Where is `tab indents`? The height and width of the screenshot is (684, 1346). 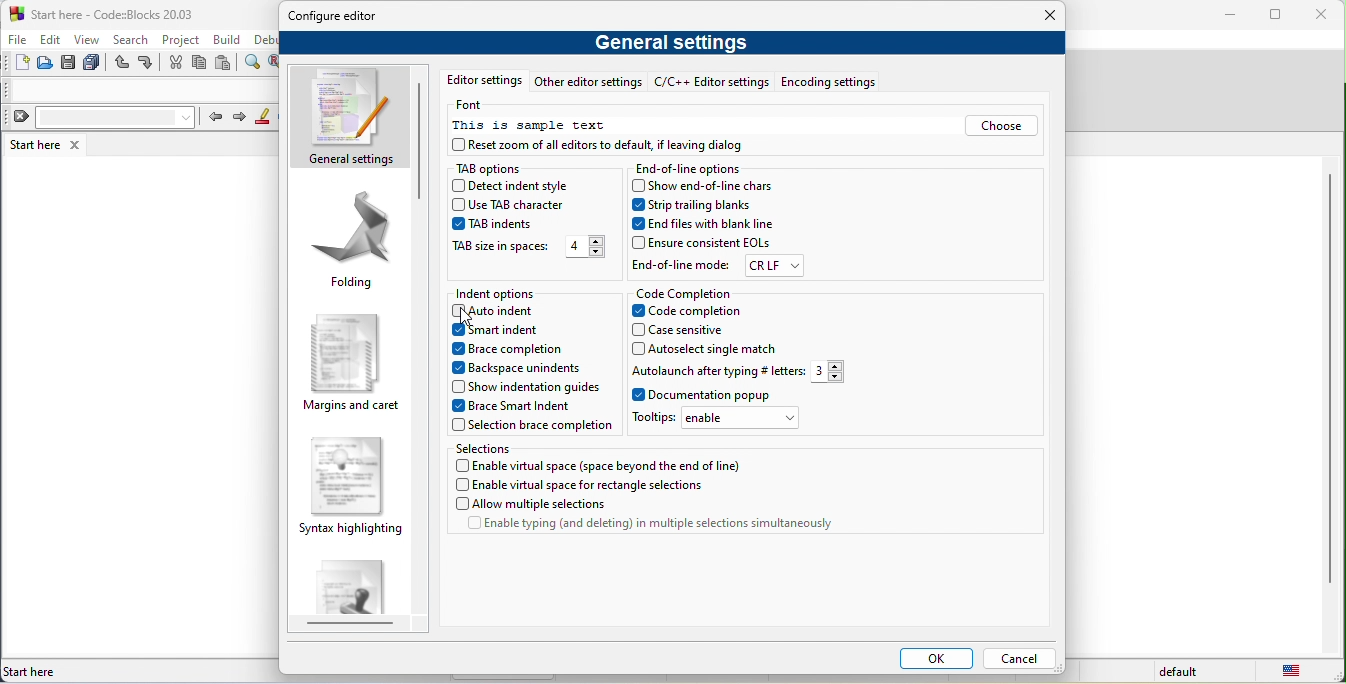 tab indents is located at coordinates (496, 225).